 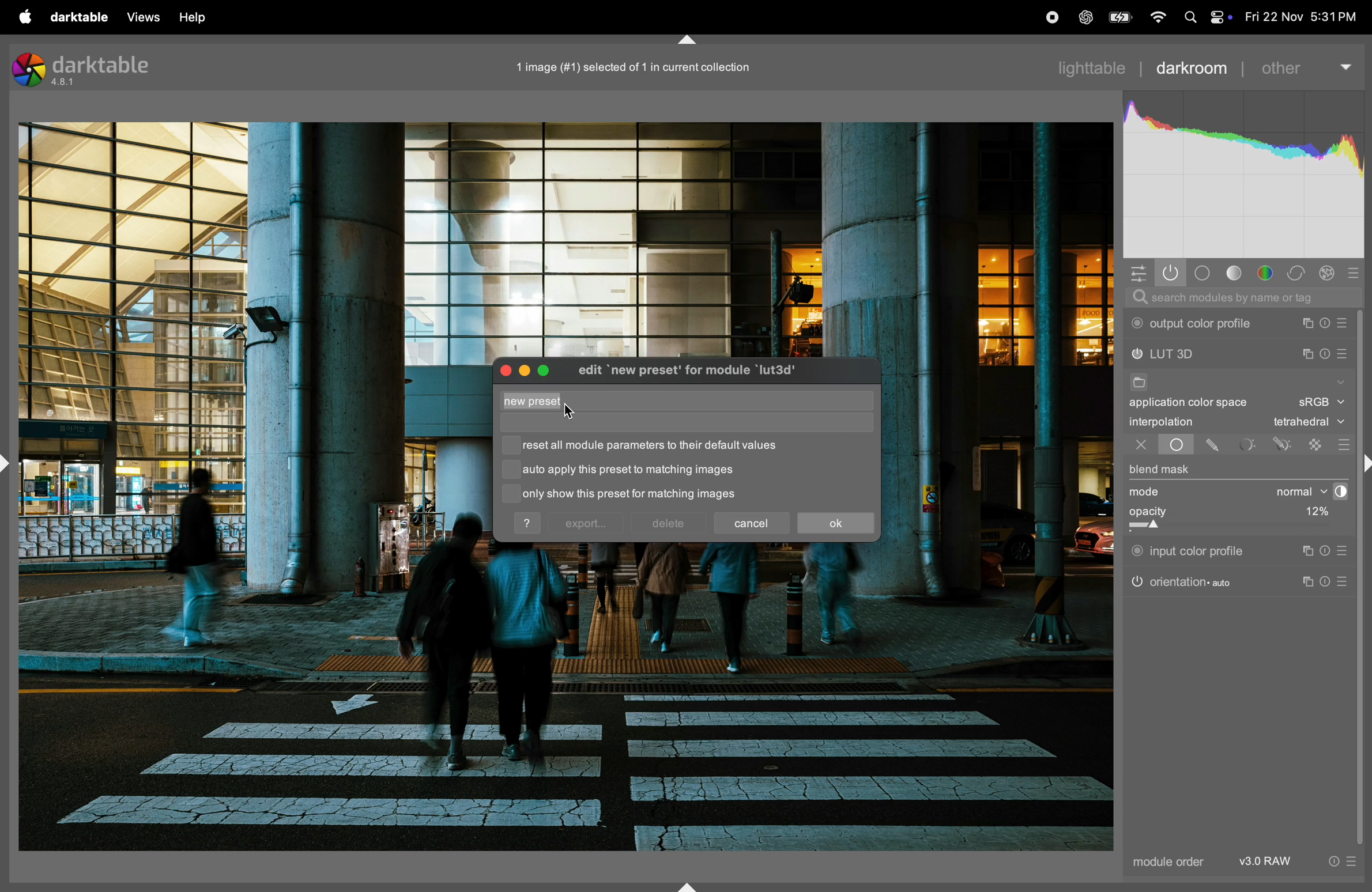 What do you see at coordinates (657, 446) in the screenshot?
I see `reset all default values` at bounding box center [657, 446].